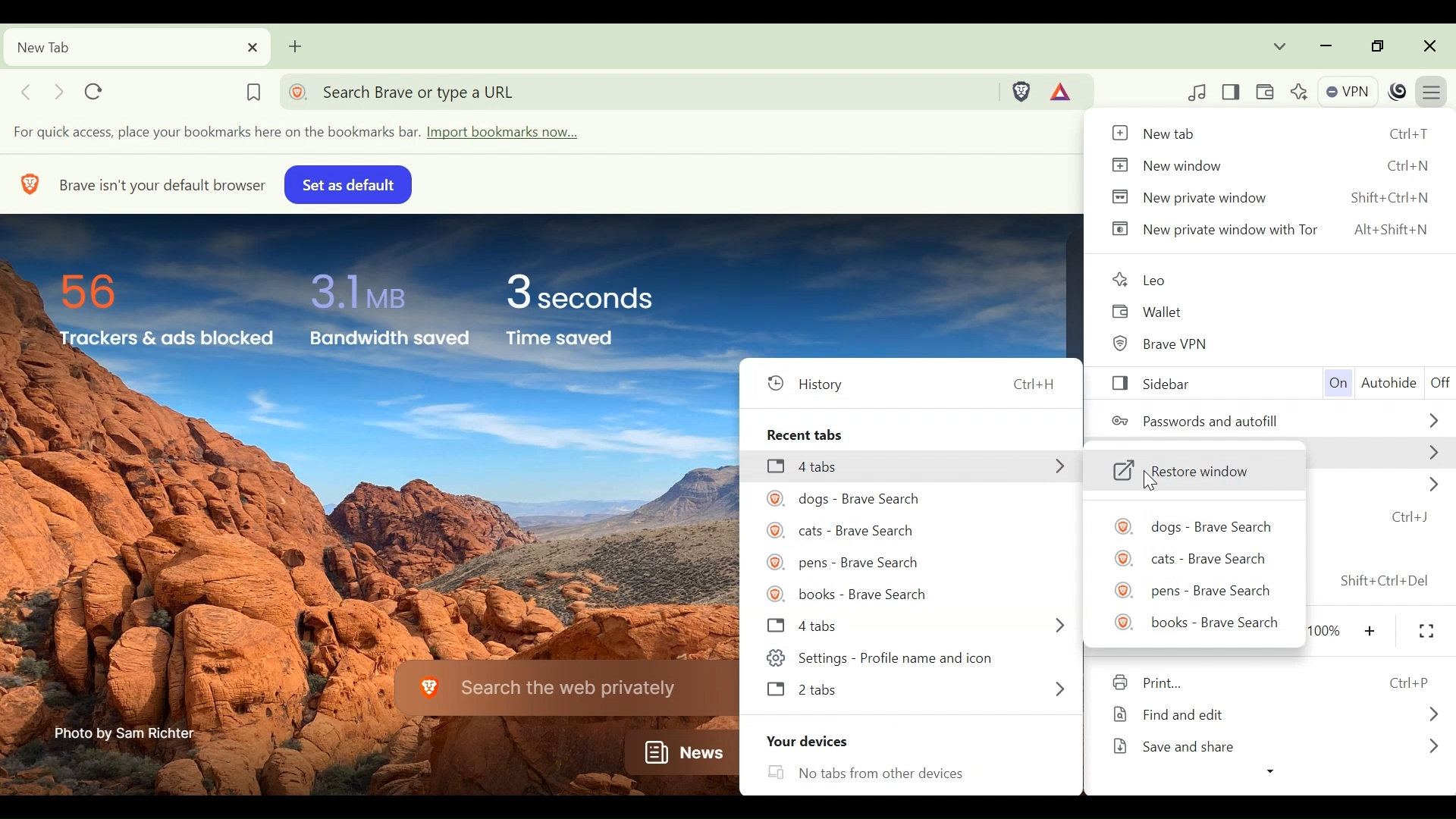 The width and height of the screenshot is (1456, 819). I want to click on Sidebar, so click(1147, 384).